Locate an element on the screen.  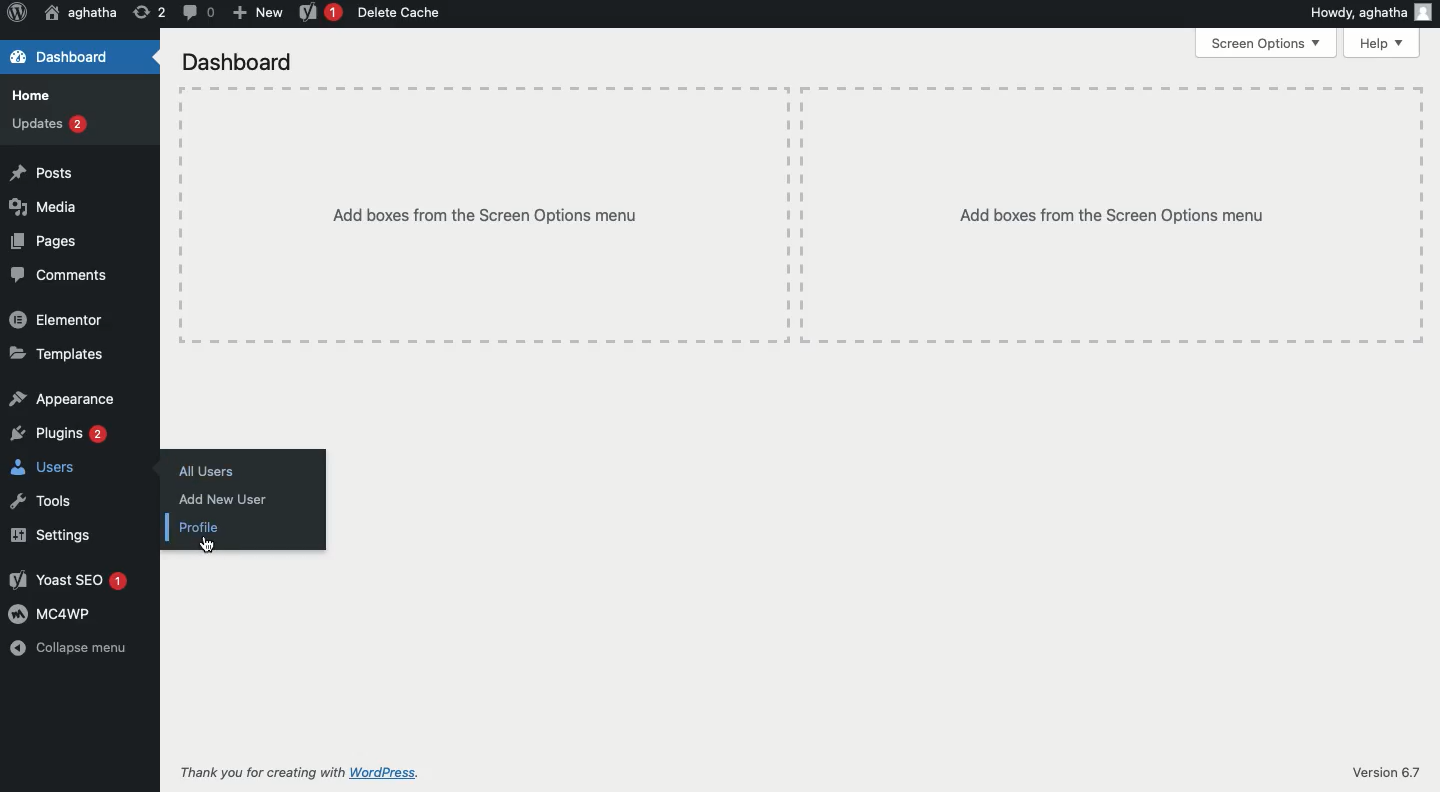
Appearance is located at coordinates (64, 398).